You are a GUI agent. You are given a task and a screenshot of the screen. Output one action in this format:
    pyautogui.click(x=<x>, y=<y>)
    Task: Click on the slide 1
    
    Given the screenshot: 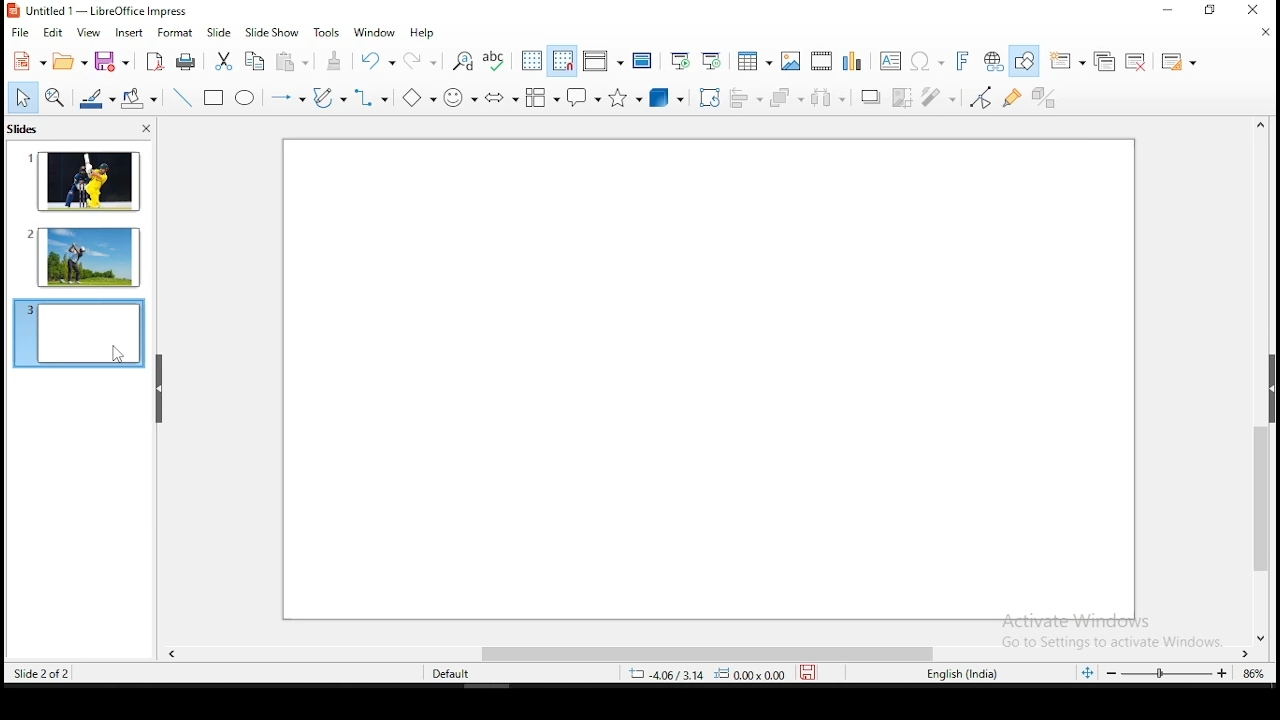 What is the action you would take?
    pyautogui.click(x=84, y=184)
    